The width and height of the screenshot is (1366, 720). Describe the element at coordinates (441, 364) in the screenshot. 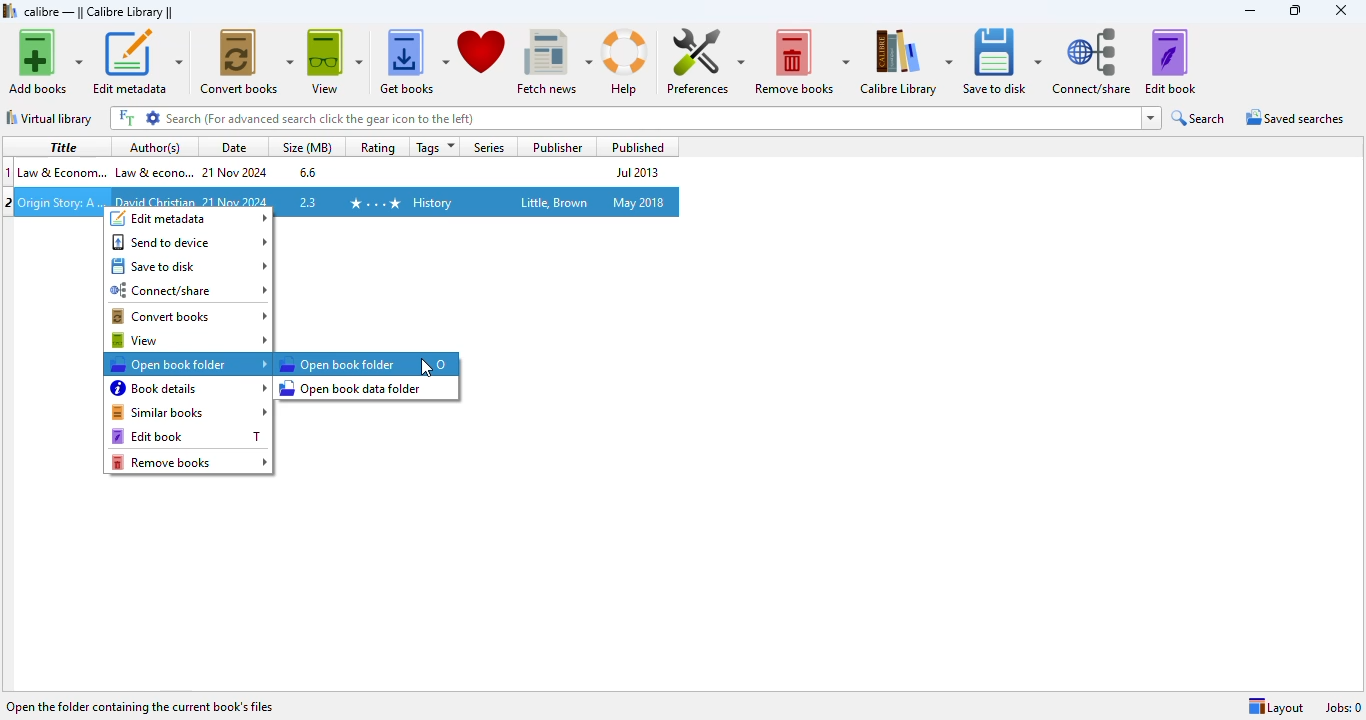

I see `0` at that location.